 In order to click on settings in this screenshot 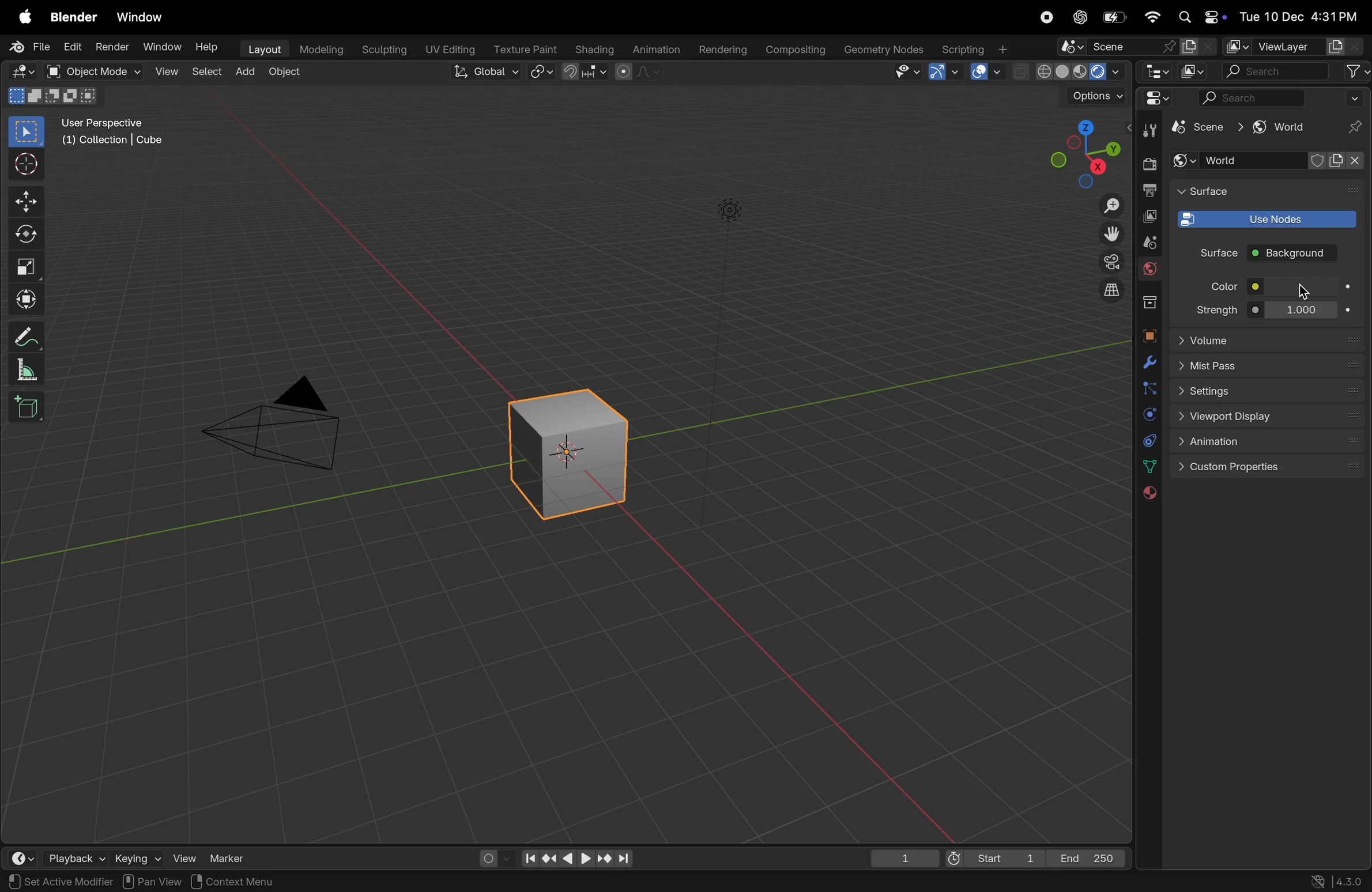, I will do `click(1269, 390)`.